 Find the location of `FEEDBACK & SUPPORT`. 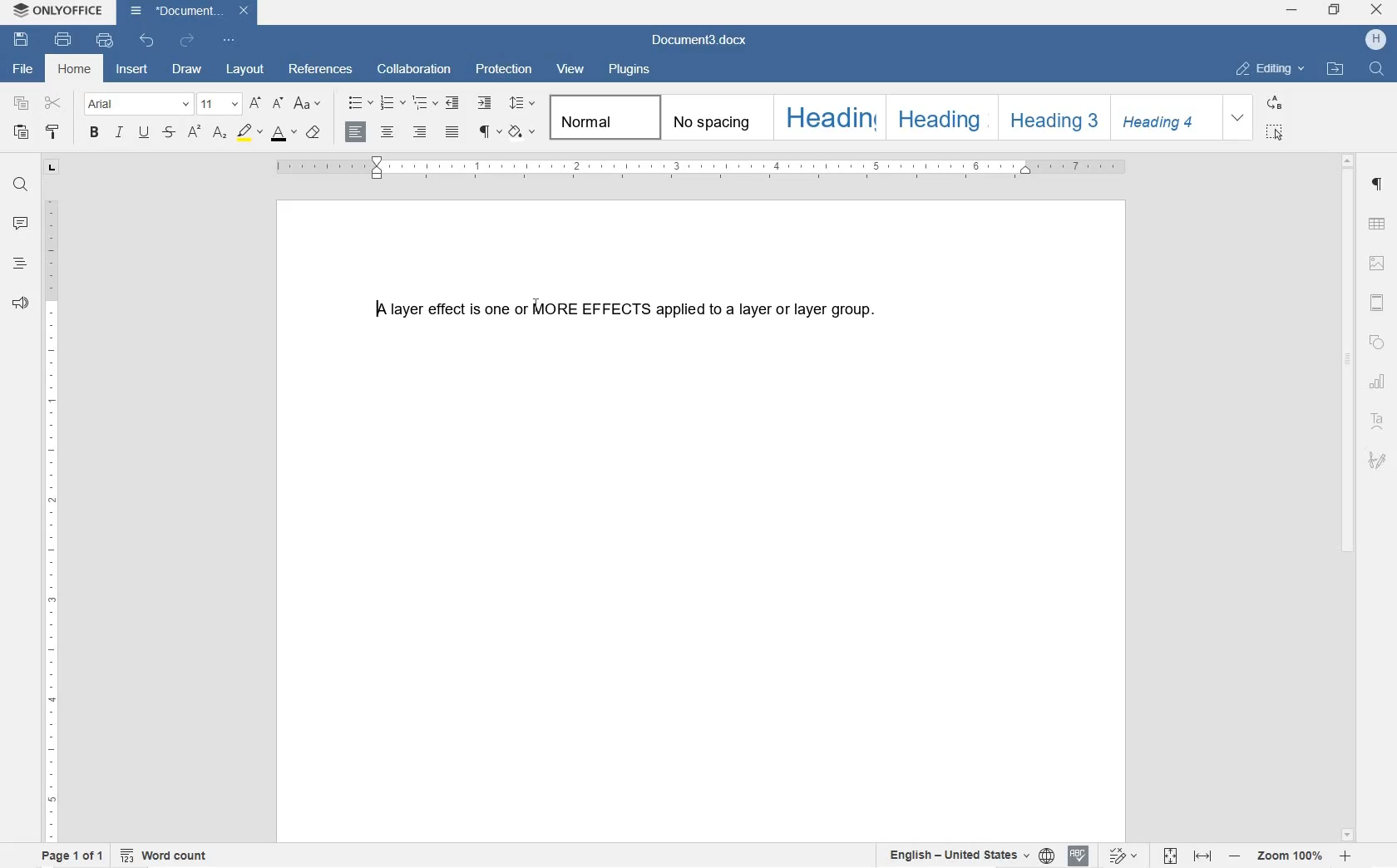

FEEDBACK & SUPPORT is located at coordinates (19, 304).